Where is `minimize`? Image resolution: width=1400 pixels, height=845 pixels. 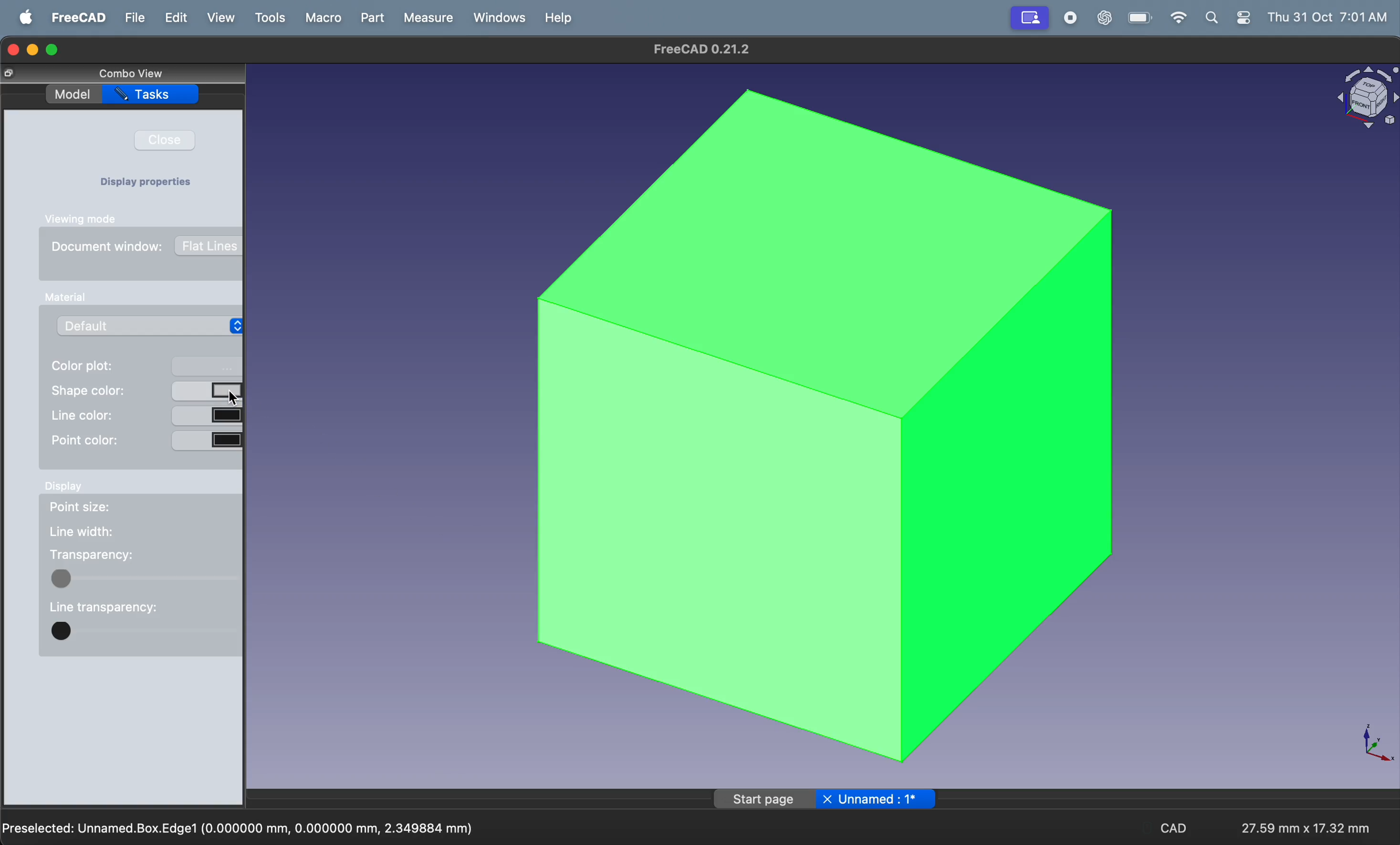
minimize is located at coordinates (35, 49).